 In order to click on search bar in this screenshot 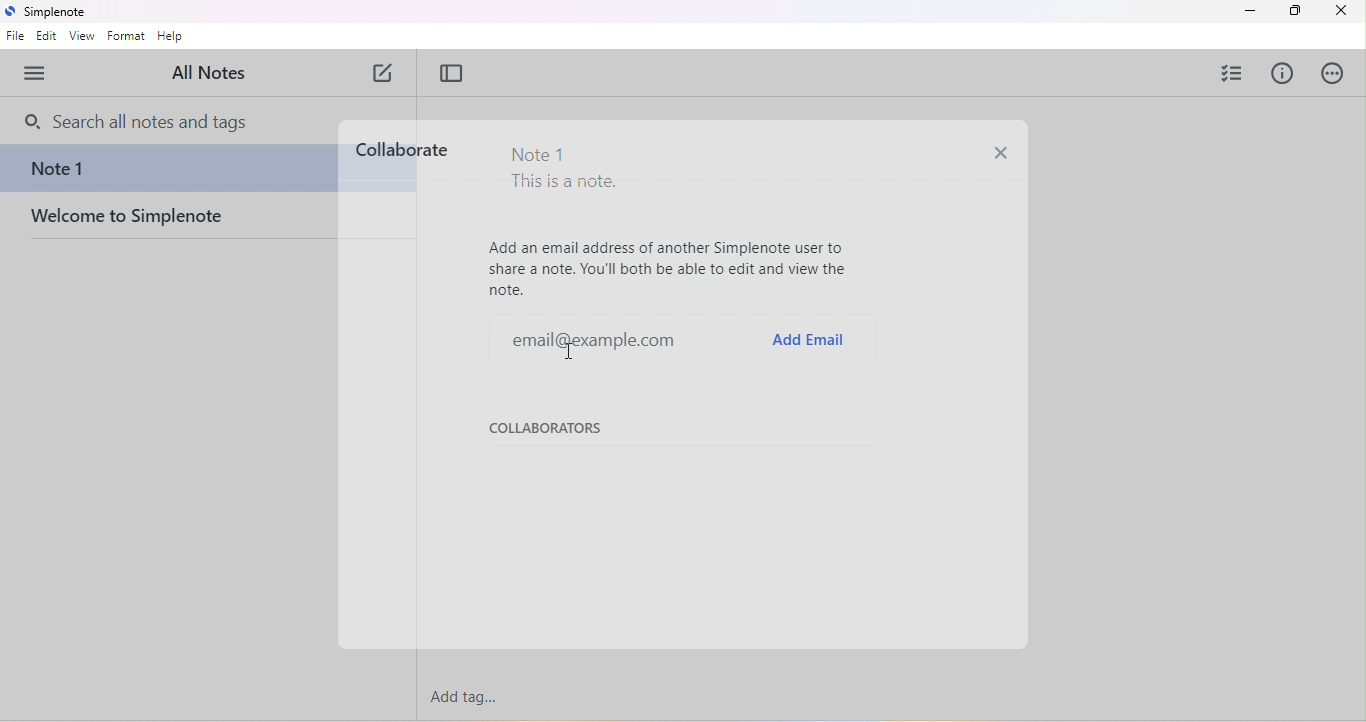, I will do `click(148, 122)`.